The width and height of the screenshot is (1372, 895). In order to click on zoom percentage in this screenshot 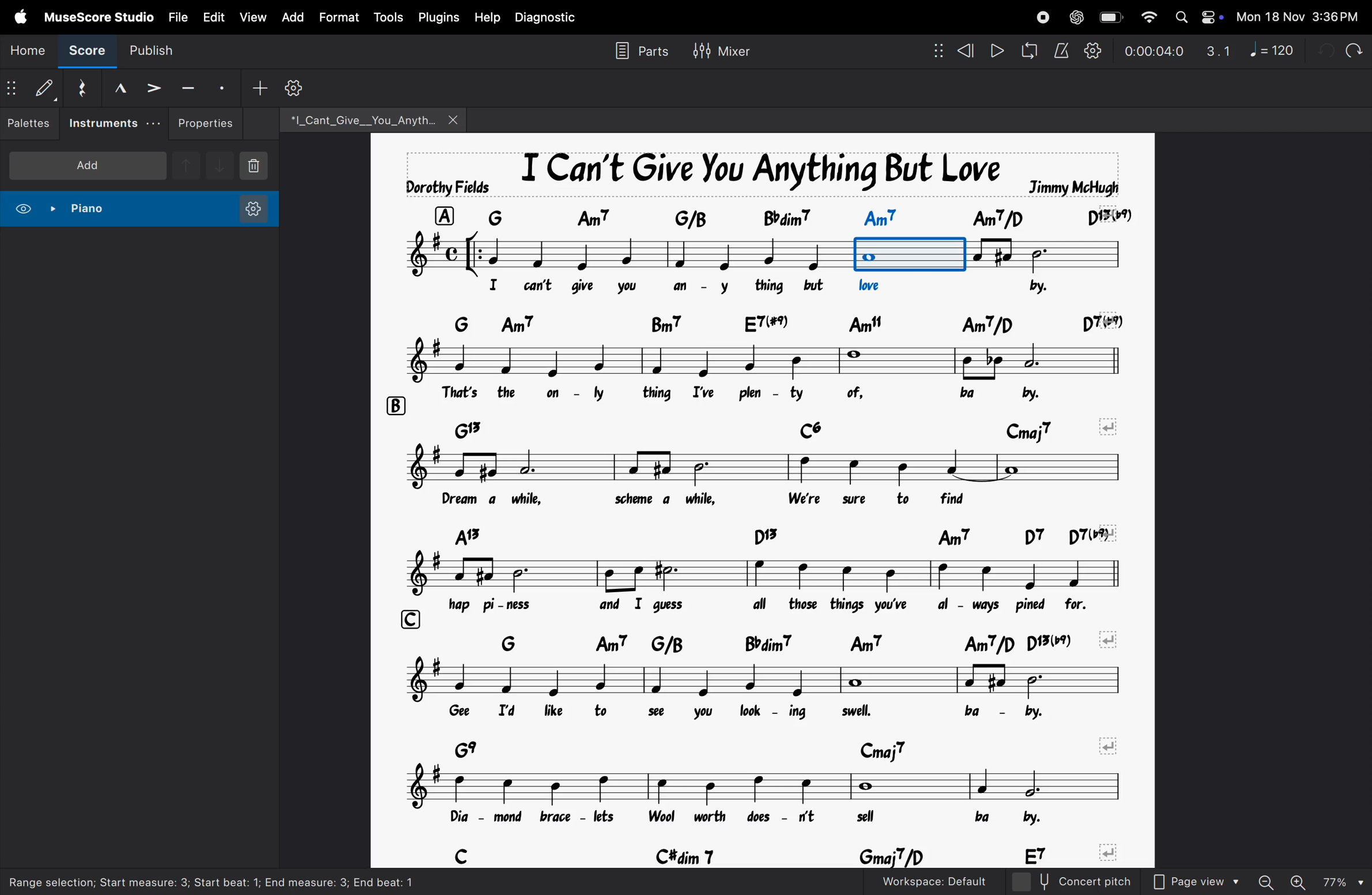, I will do `click(1344, 882)`.